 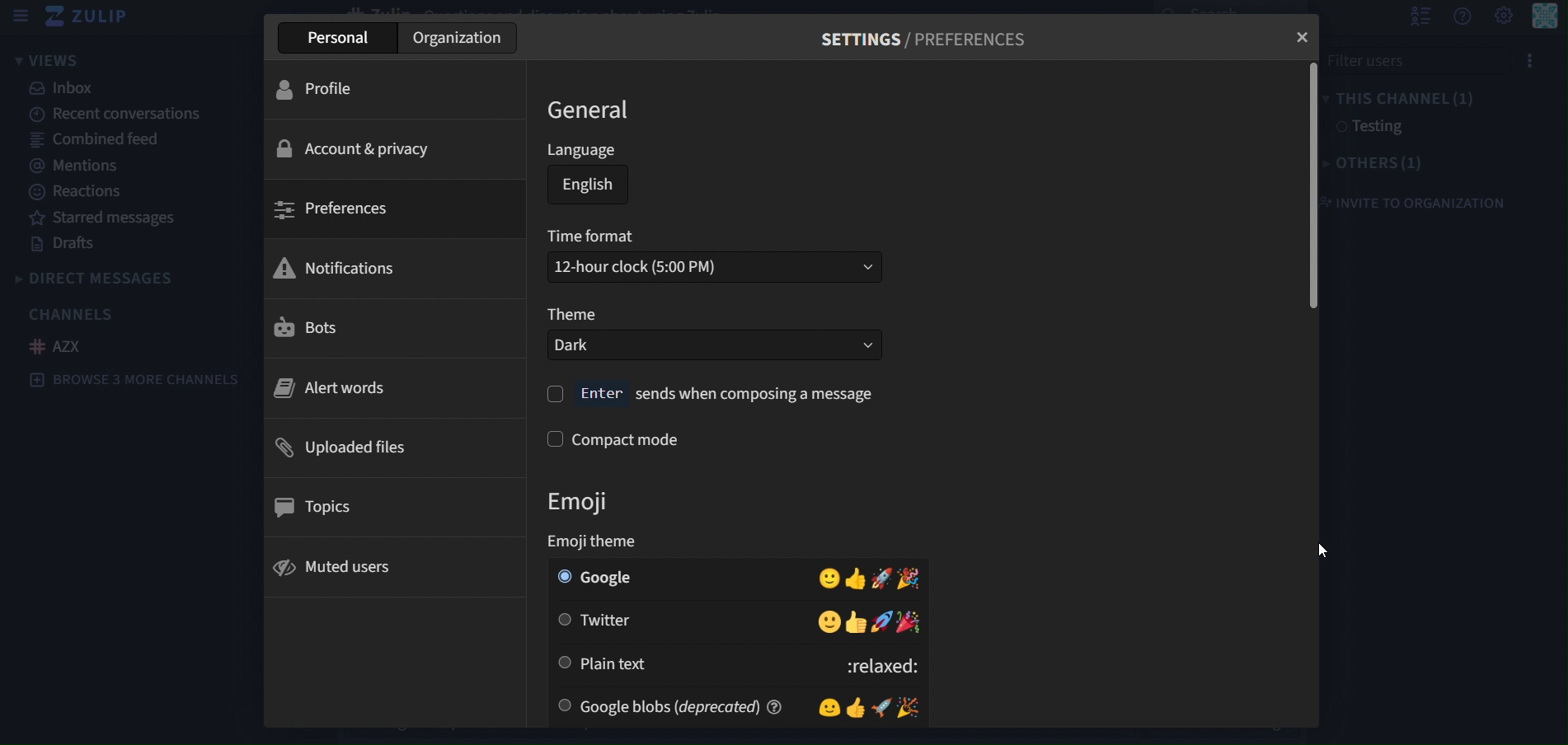 I want to click on uploaded files, so click(x=346, y=444).